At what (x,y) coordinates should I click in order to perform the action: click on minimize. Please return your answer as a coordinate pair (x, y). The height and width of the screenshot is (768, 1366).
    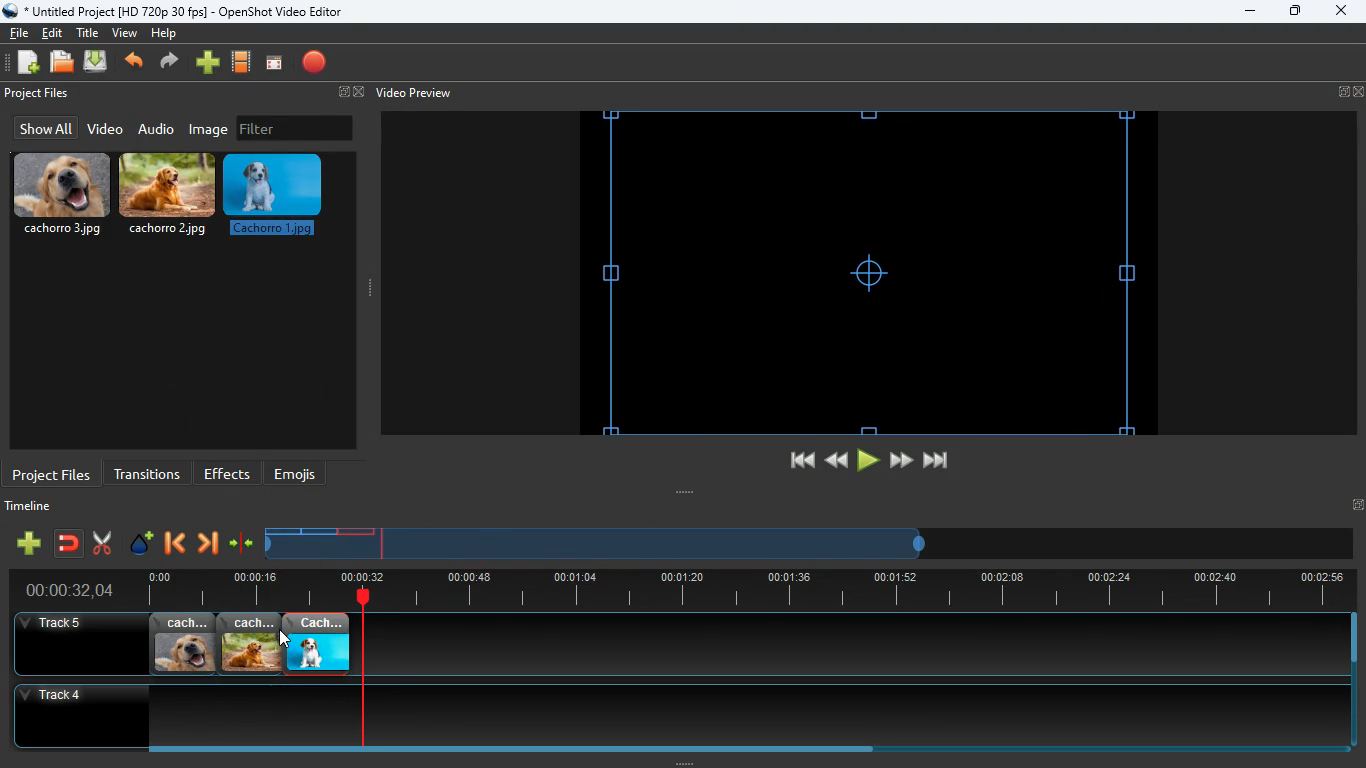
    Looking at the image, I should click on (1250, 12).